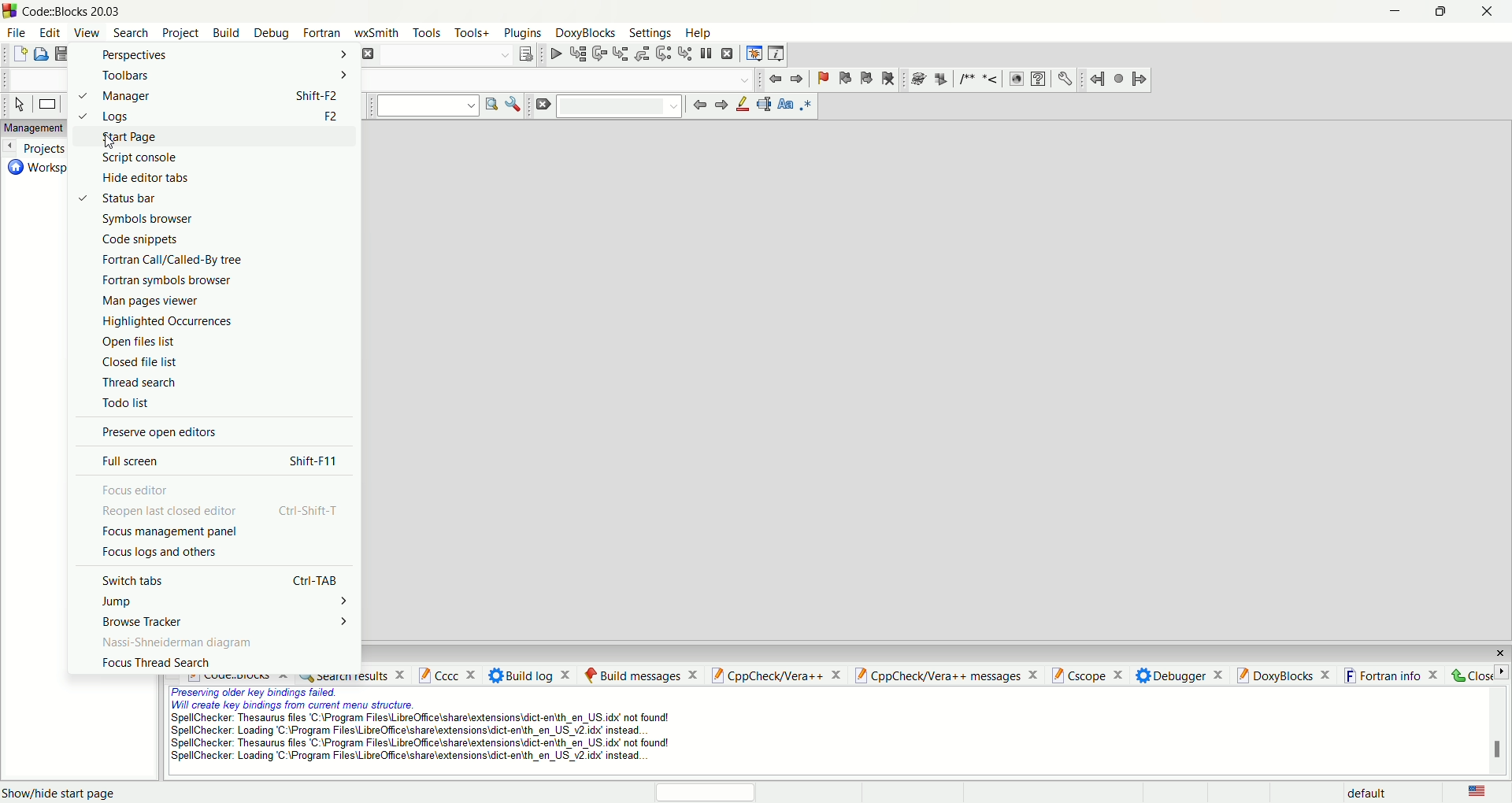  What do you see at coordinates (1393, 676) in the screenshot?
I see `forton info` at bounding box center [1393, 676].